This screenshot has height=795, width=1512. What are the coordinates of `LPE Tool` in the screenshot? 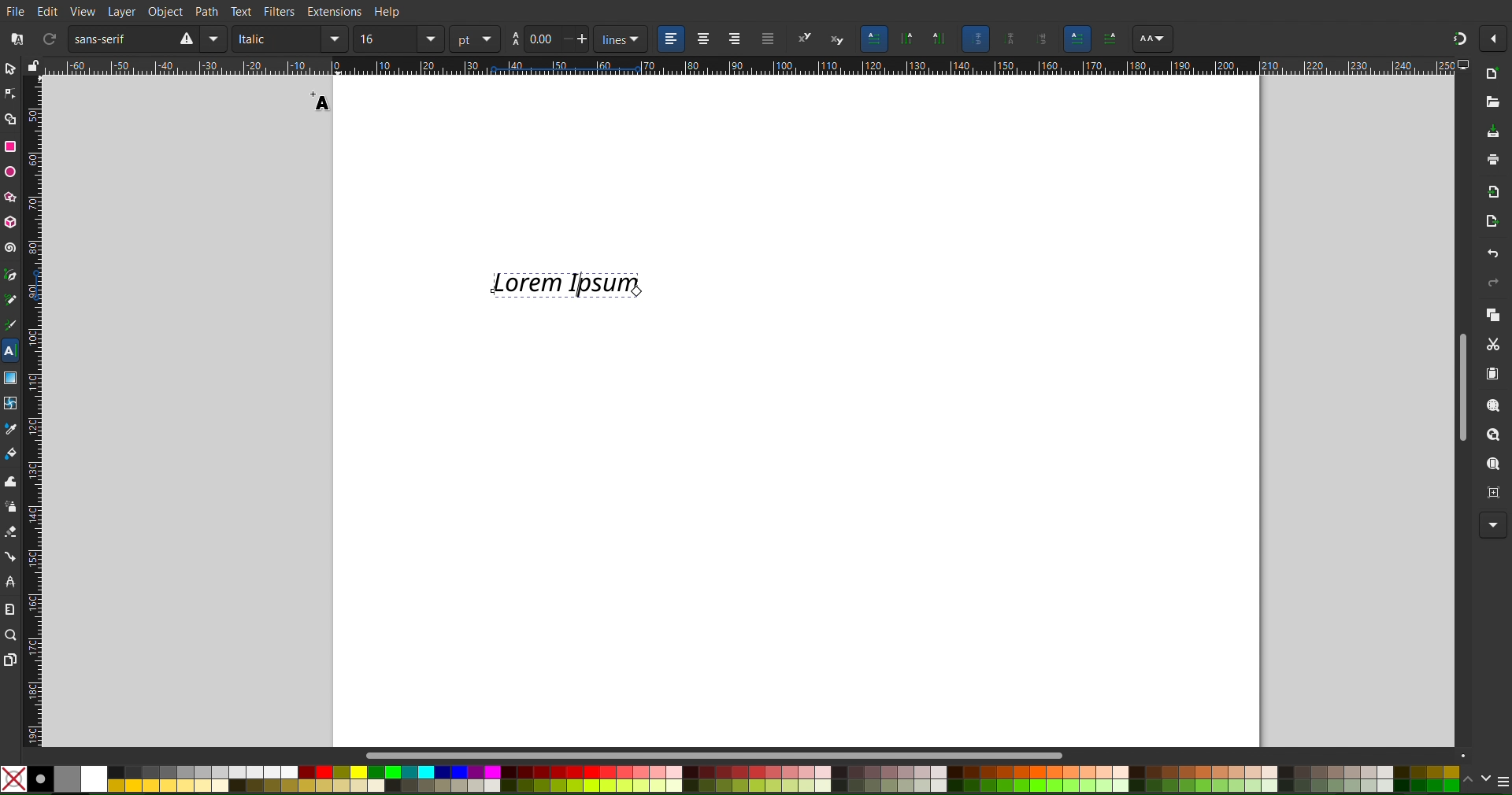 It's located at (11, 582).